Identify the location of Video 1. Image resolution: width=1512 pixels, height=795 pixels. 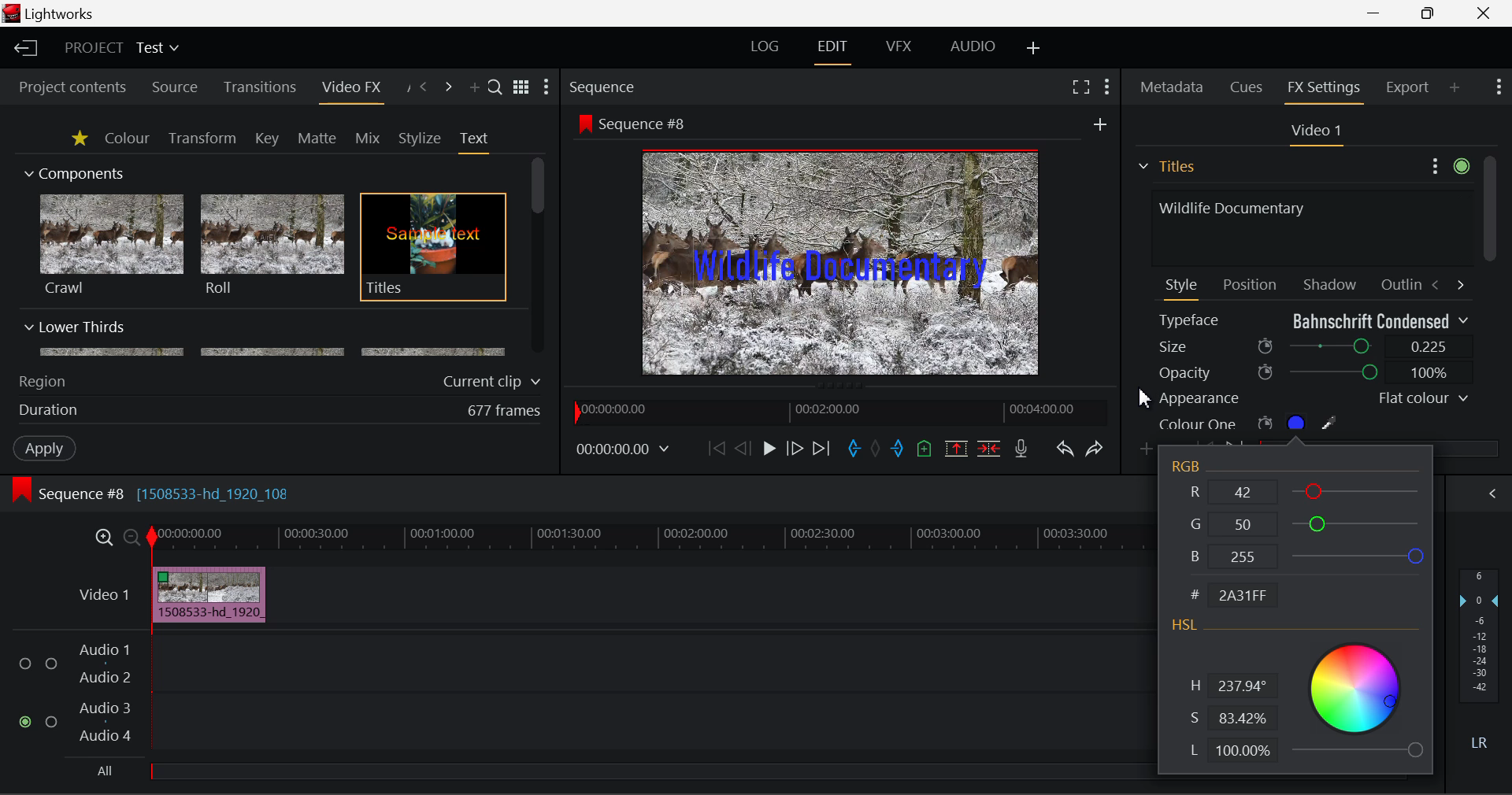
(106, 594).